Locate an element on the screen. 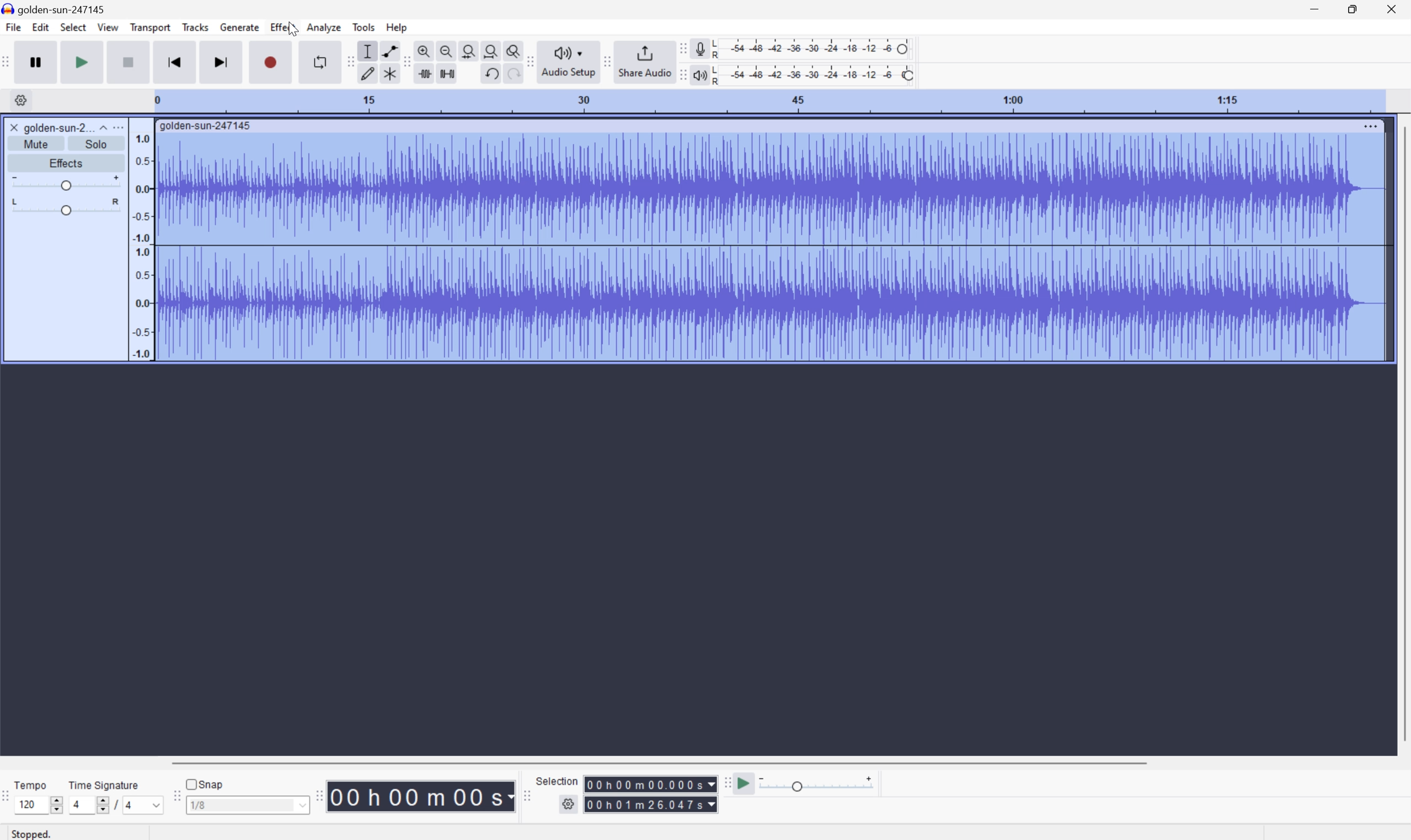  Zoom toggle is located at coordinates (509, 49).